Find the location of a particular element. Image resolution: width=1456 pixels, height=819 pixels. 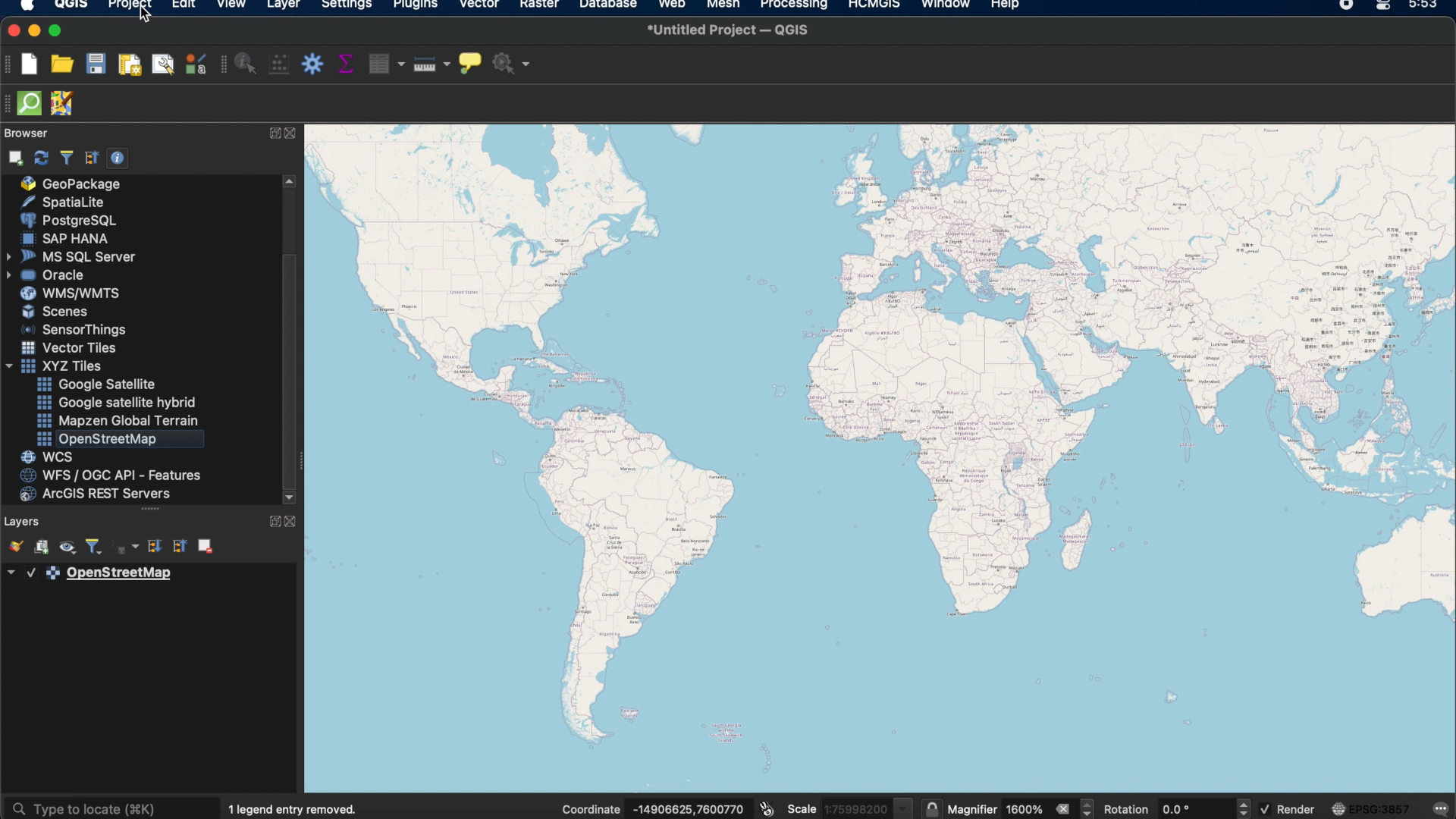

filter legend by expression is located at coordinates (125, 547).